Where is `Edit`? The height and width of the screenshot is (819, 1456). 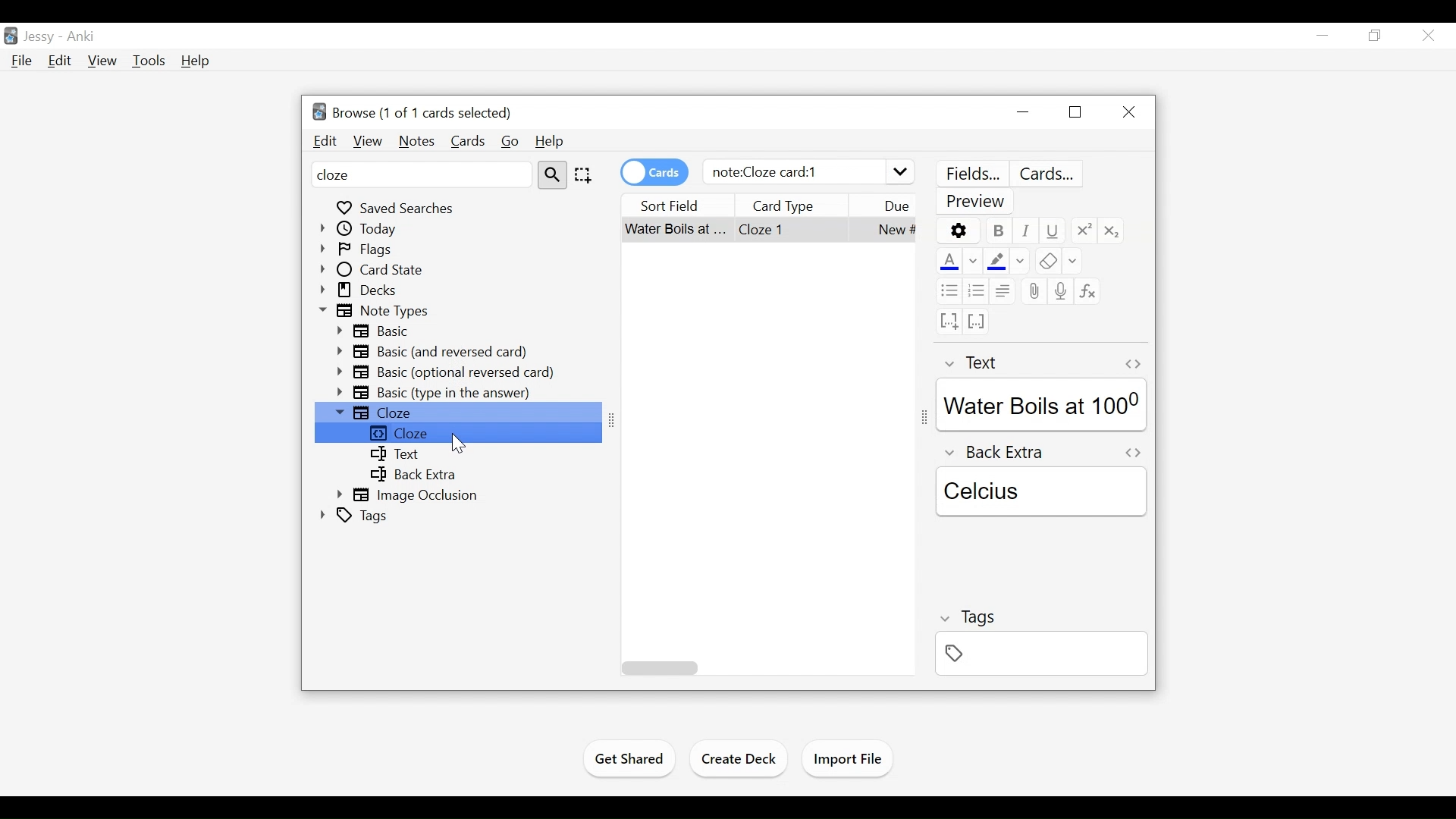
Edit is located at coordinates (325, 141).